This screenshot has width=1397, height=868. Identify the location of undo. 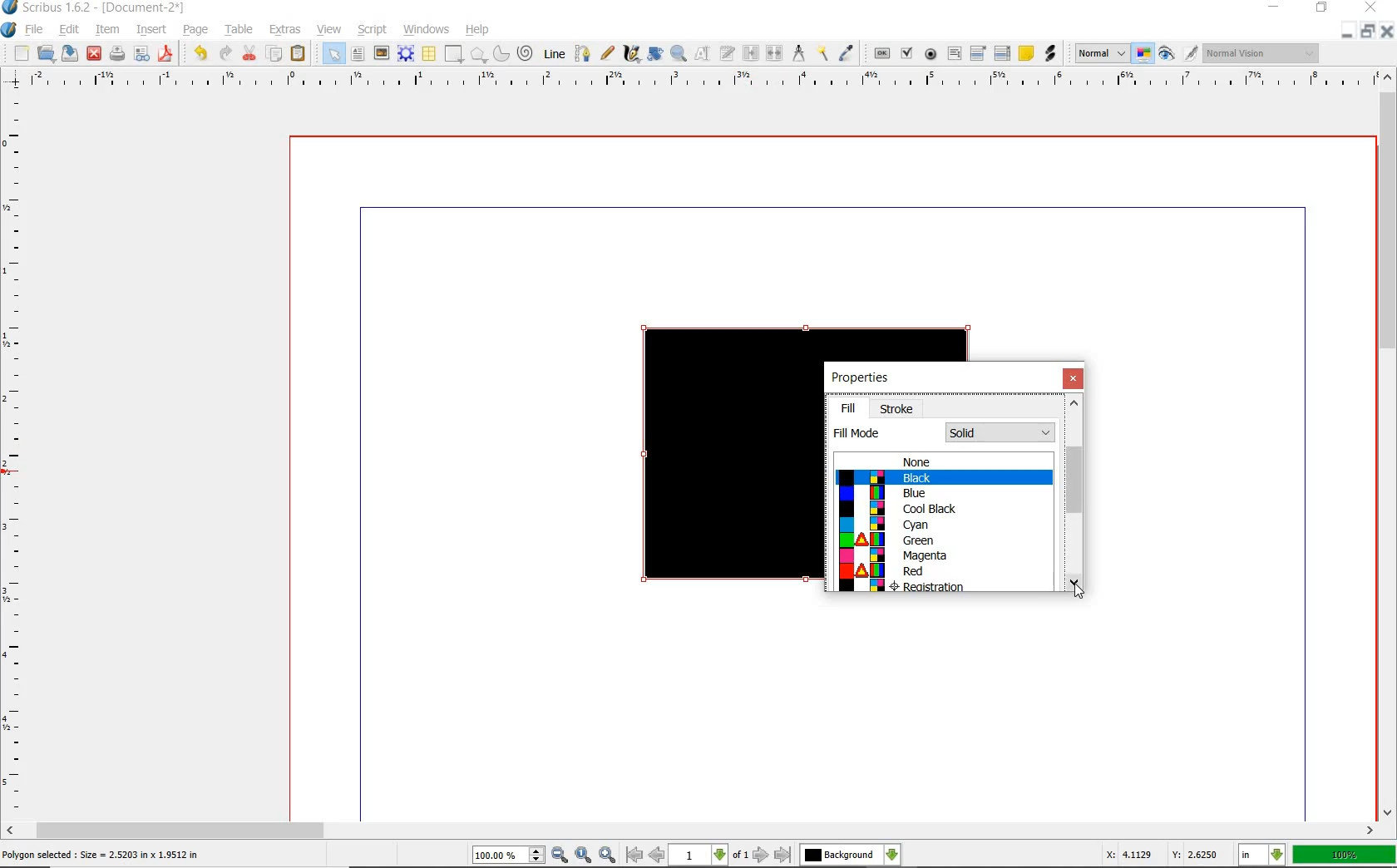
(200, 55).